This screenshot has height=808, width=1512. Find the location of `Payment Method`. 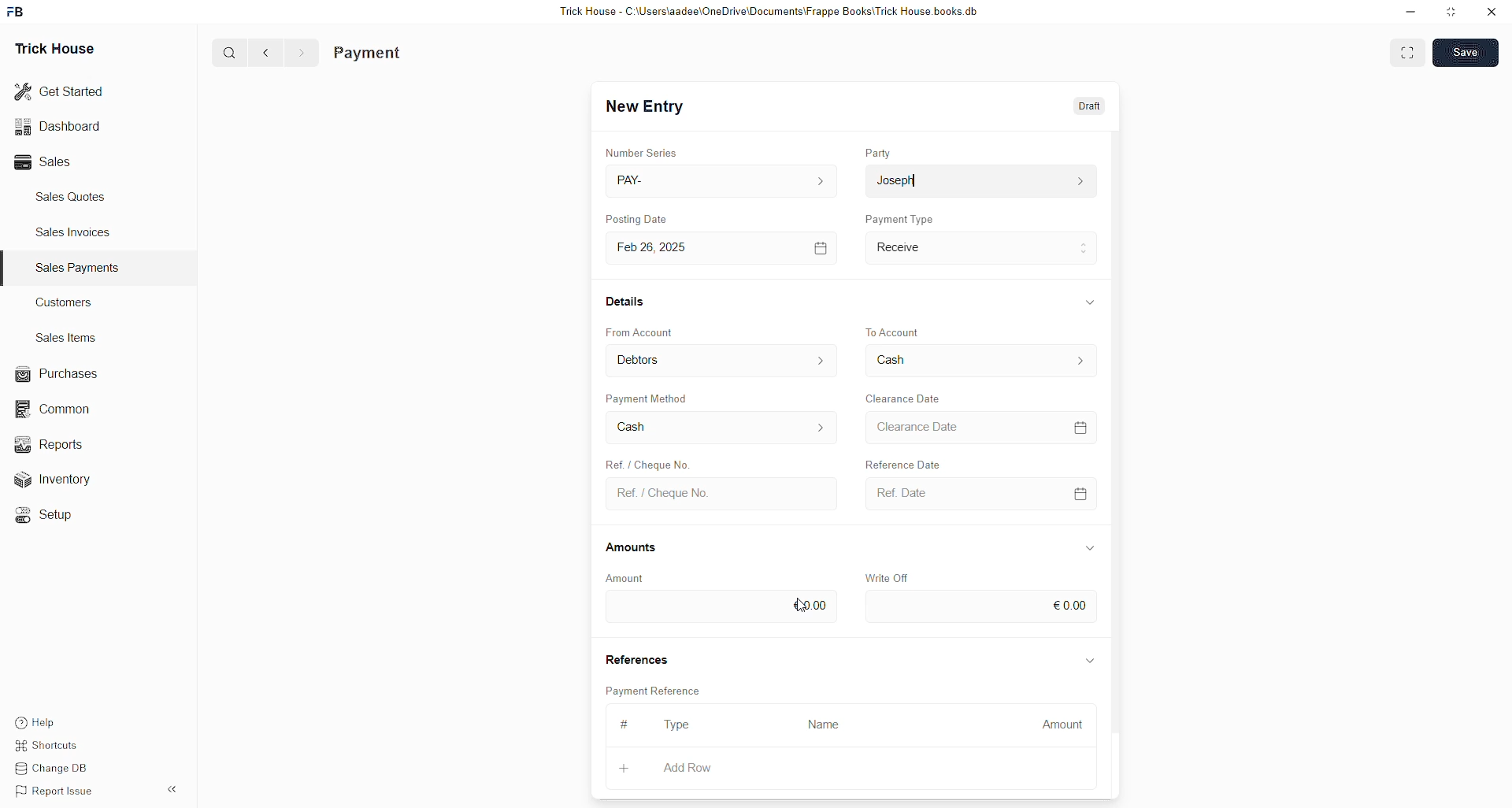

Payment Method is located at coordinates (649, 398).